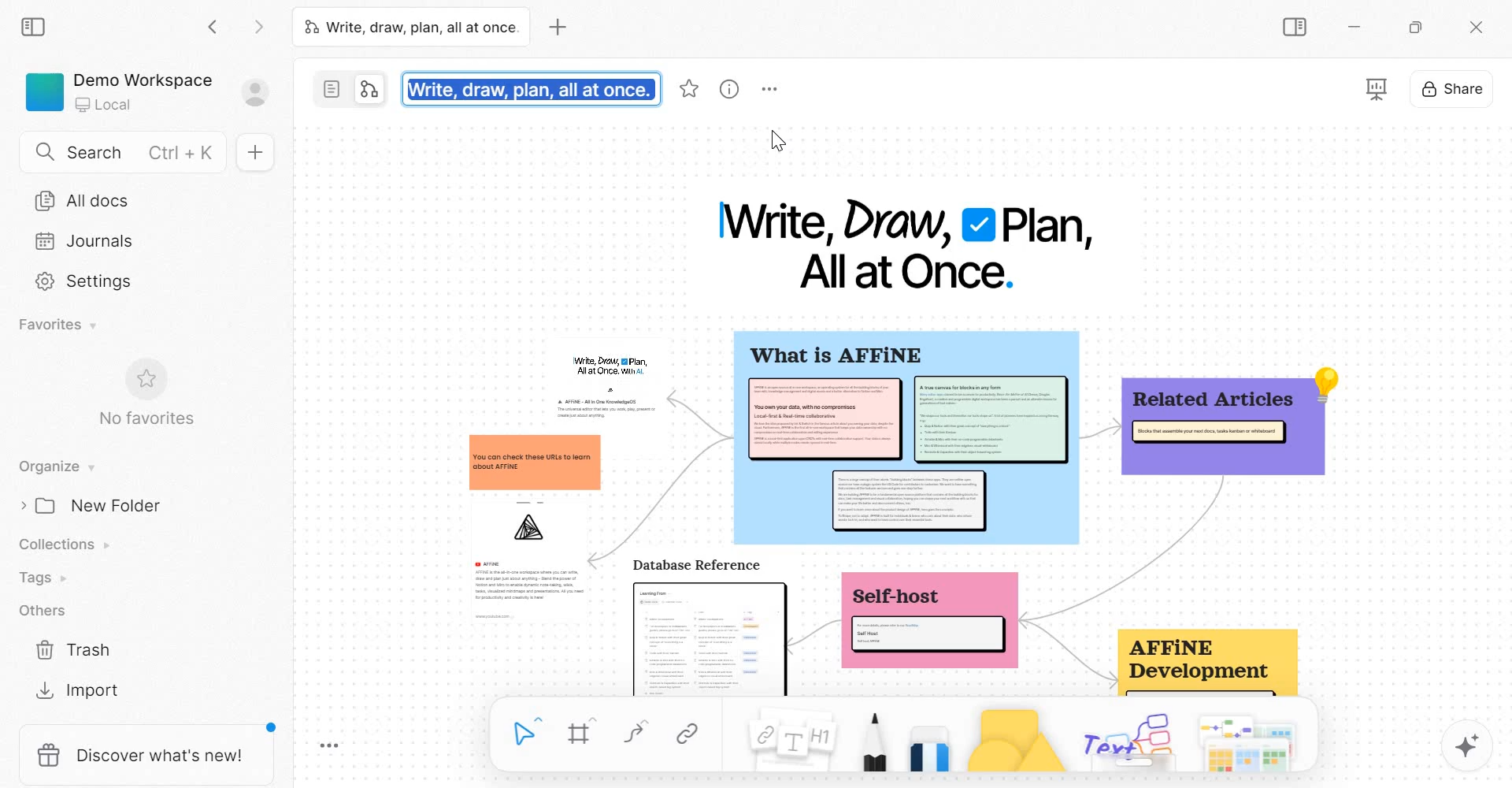 The image size is (1512, 788). I want to click on edgeless mode, so click(369, 89).